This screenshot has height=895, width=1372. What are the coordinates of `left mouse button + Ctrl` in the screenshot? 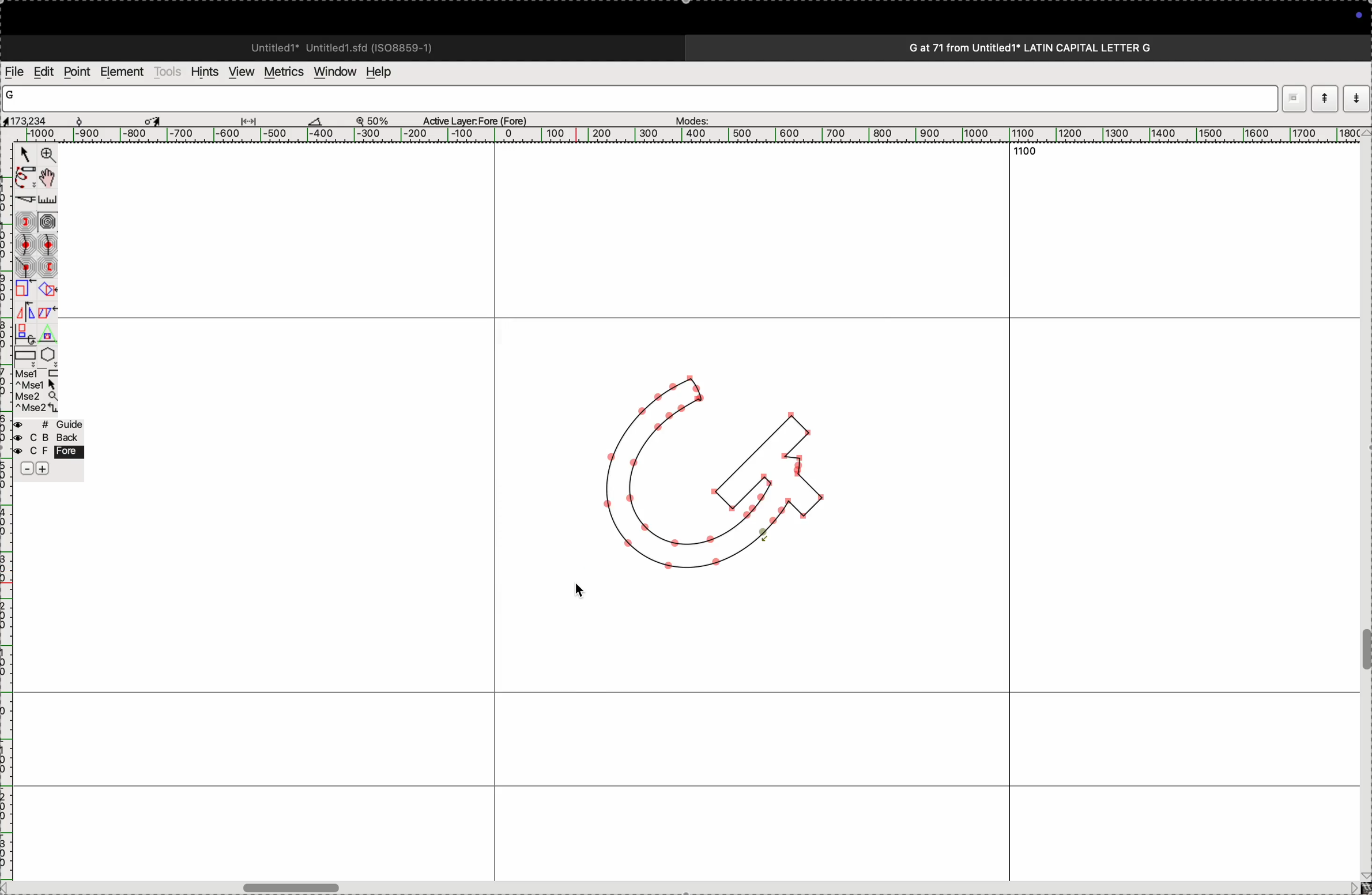 It's located at (36, 385).